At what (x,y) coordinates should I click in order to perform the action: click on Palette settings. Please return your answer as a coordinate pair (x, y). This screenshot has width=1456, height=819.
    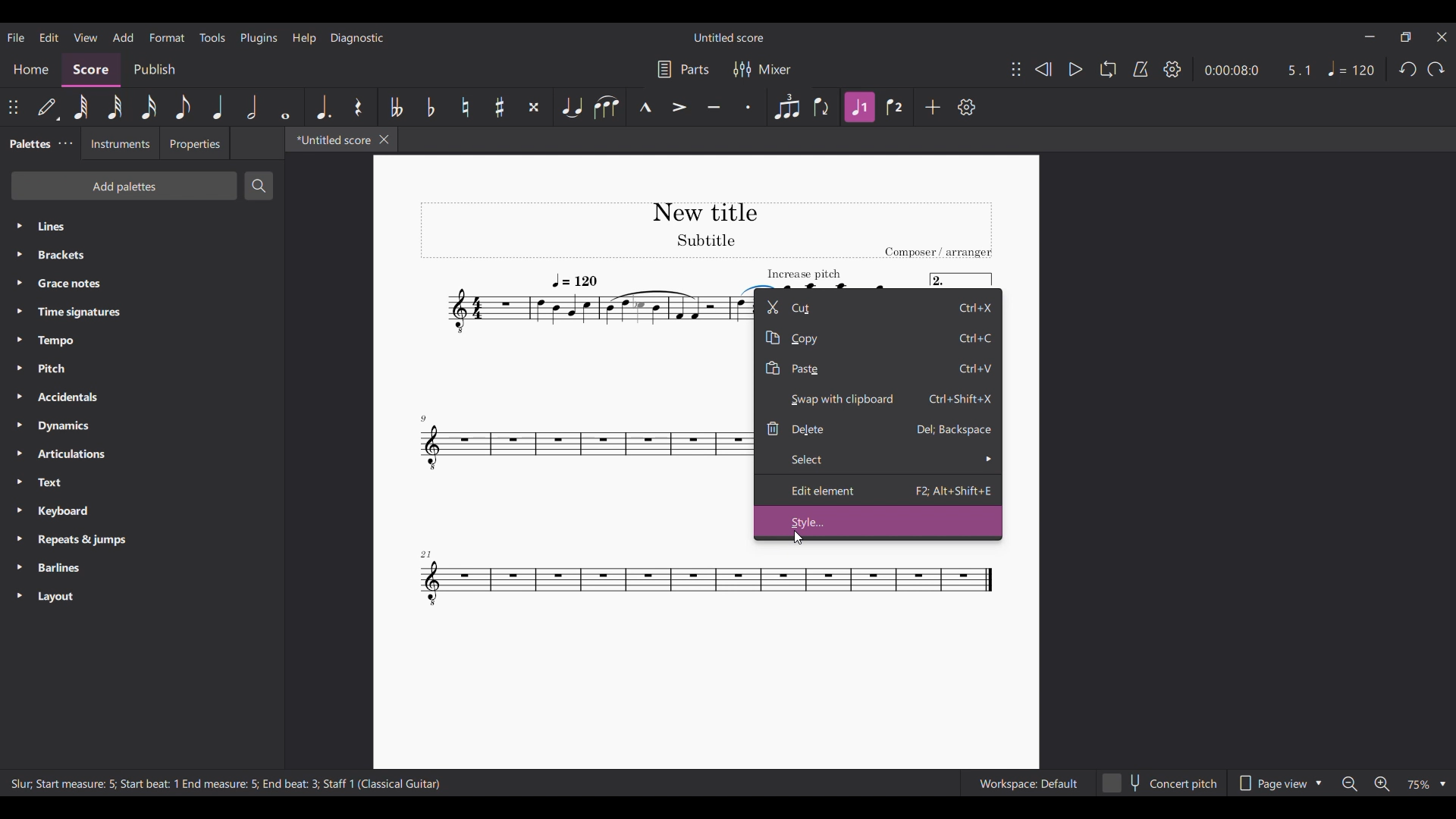
    Looking at the image, I should click on (66, 143).